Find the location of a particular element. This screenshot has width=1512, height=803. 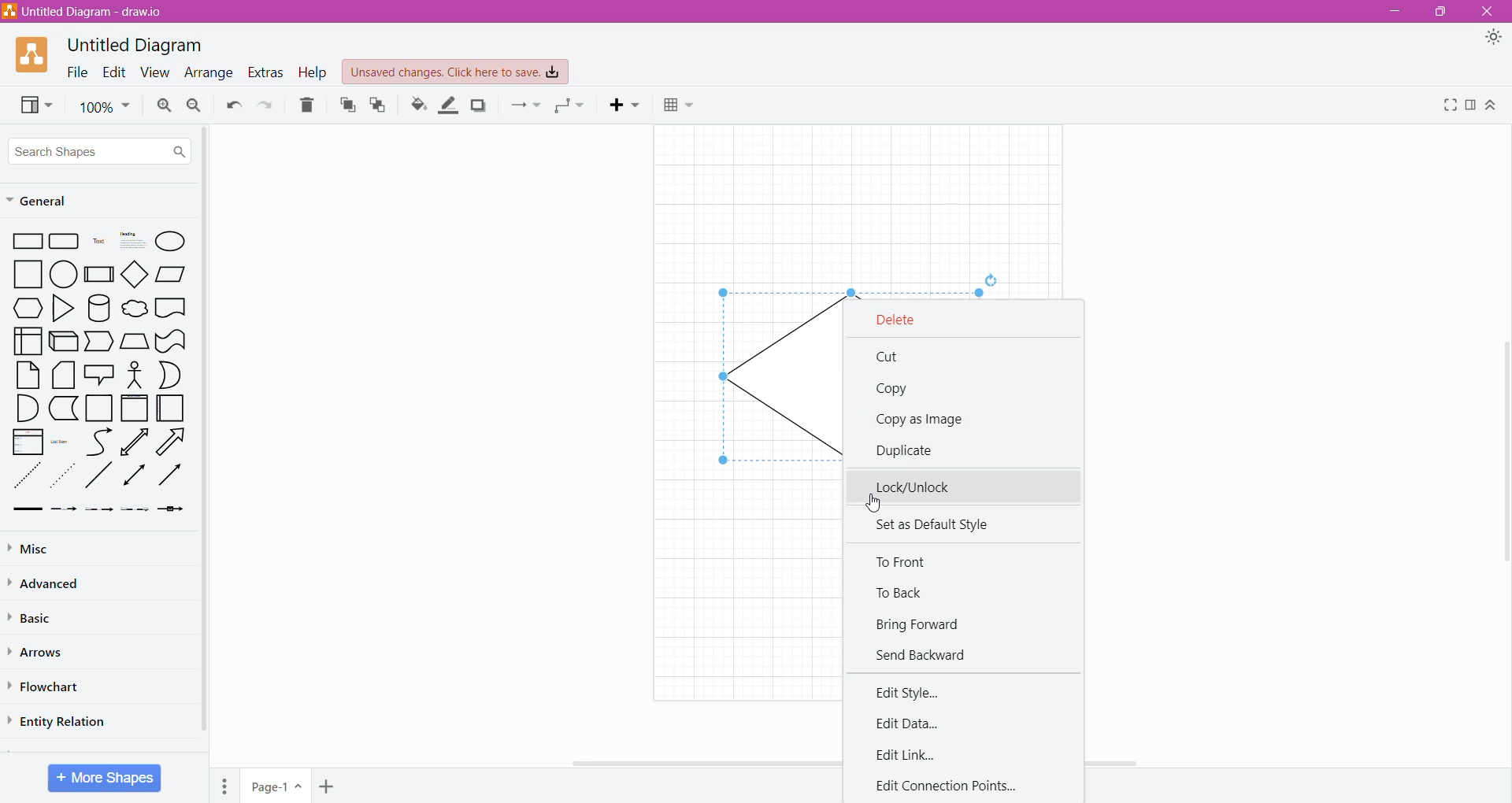

Zoom In is located at coordinates (163, 105).